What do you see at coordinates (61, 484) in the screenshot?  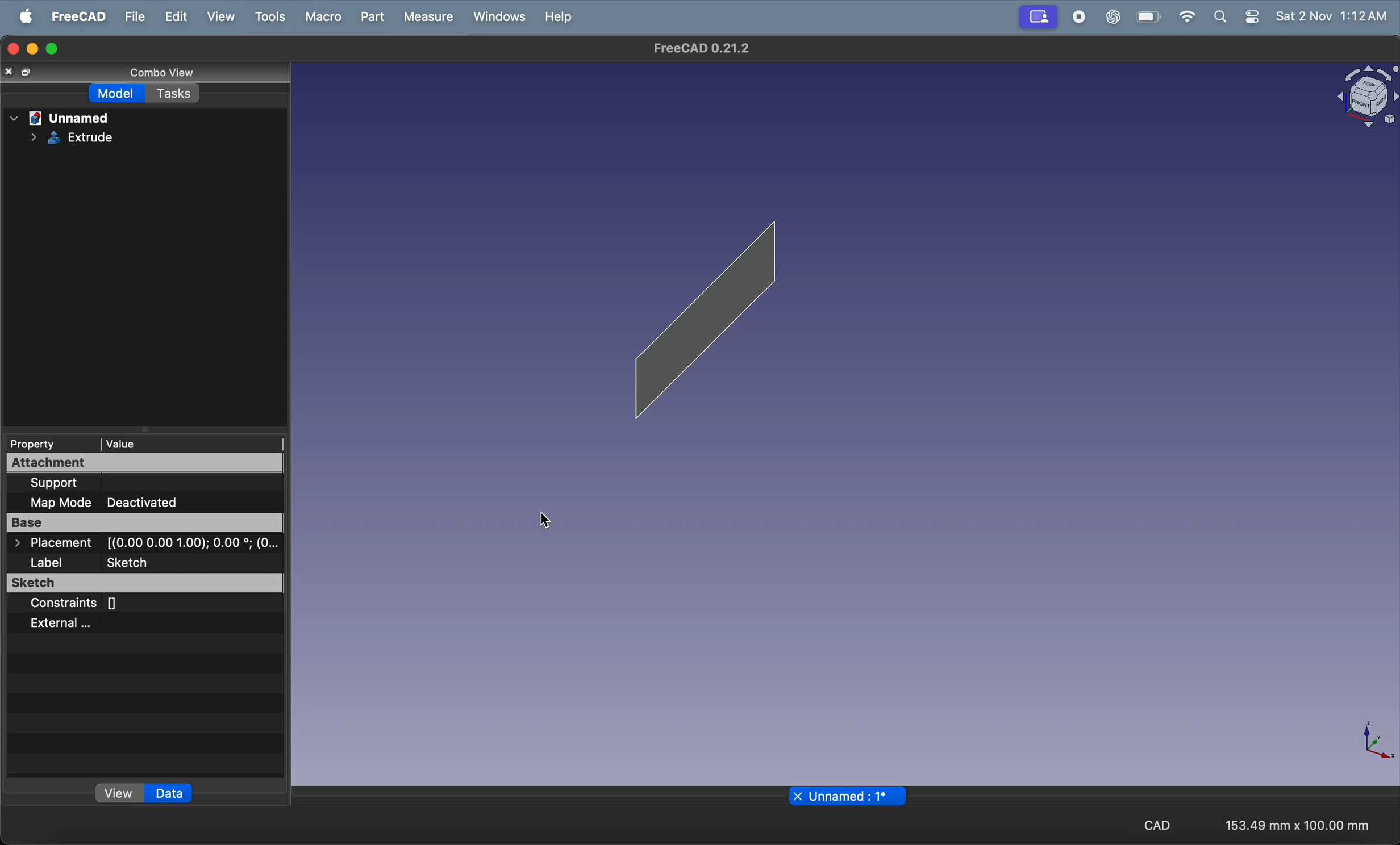 I see `support` at bounding box center [61, 484].